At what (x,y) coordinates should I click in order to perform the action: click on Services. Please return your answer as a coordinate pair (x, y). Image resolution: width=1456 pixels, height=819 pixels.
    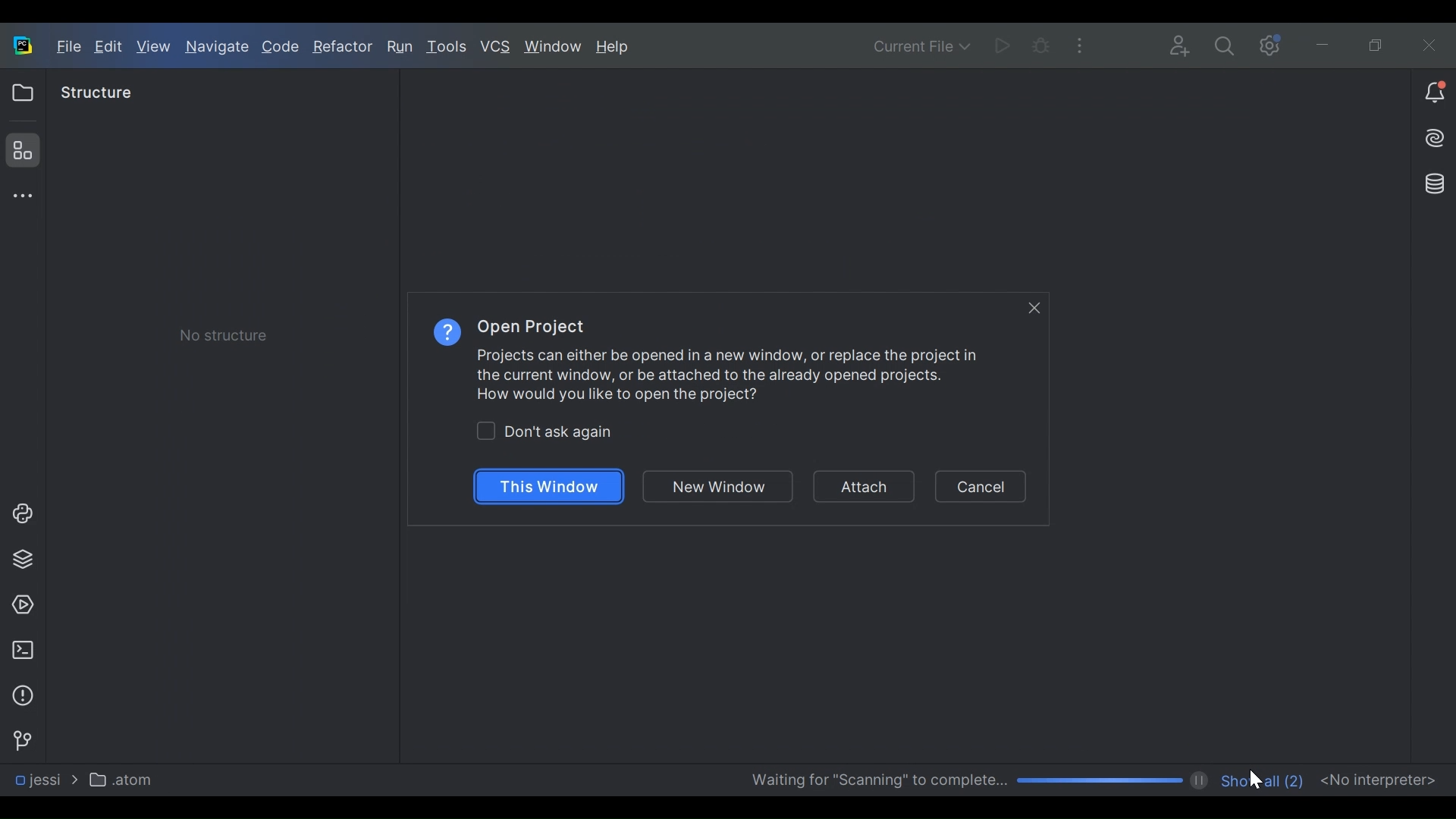
    Looking at the image, I should click on (22, 606).